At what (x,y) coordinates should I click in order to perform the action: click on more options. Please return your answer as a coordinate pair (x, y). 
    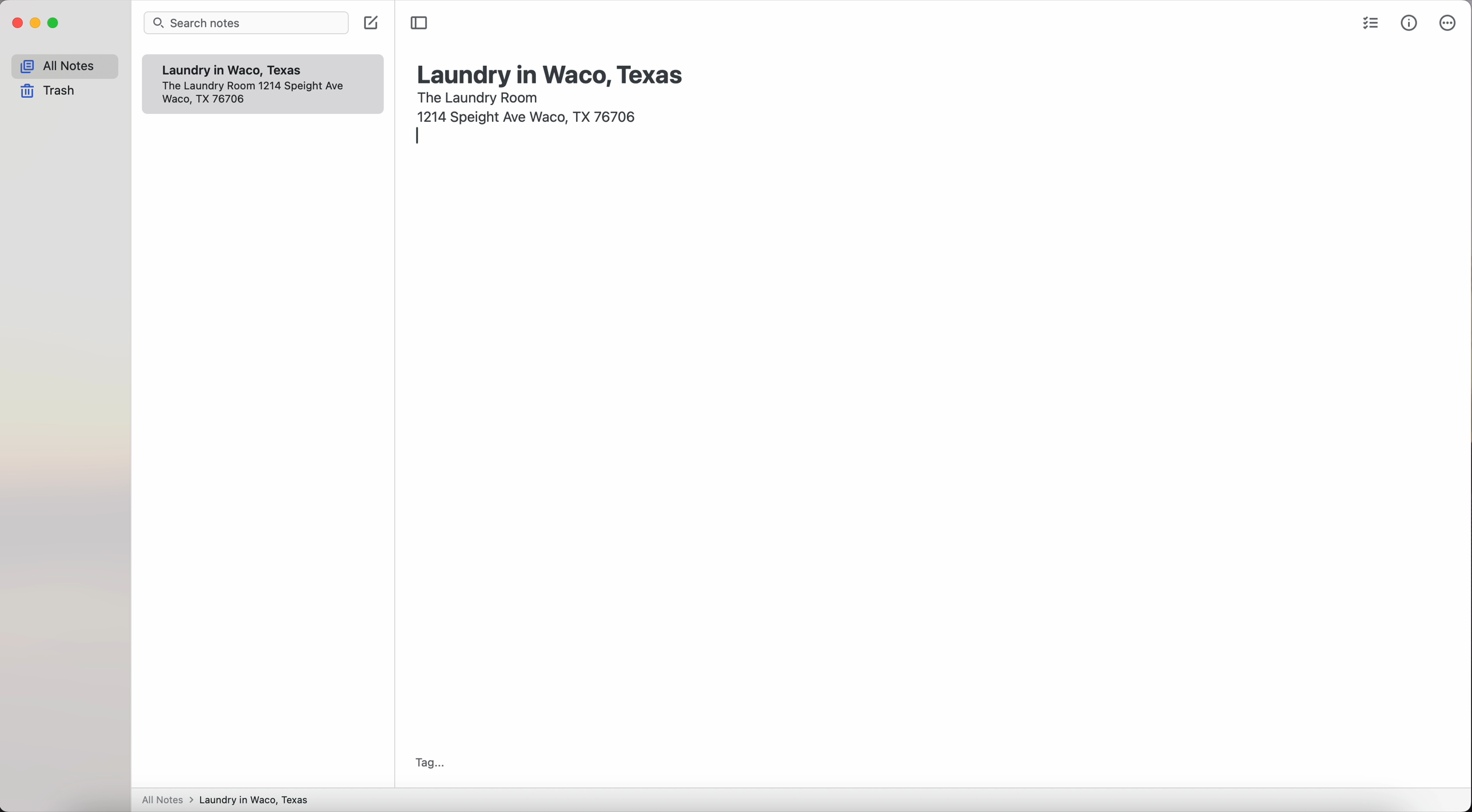
    Looking at the image, I should click on (1446, 23).